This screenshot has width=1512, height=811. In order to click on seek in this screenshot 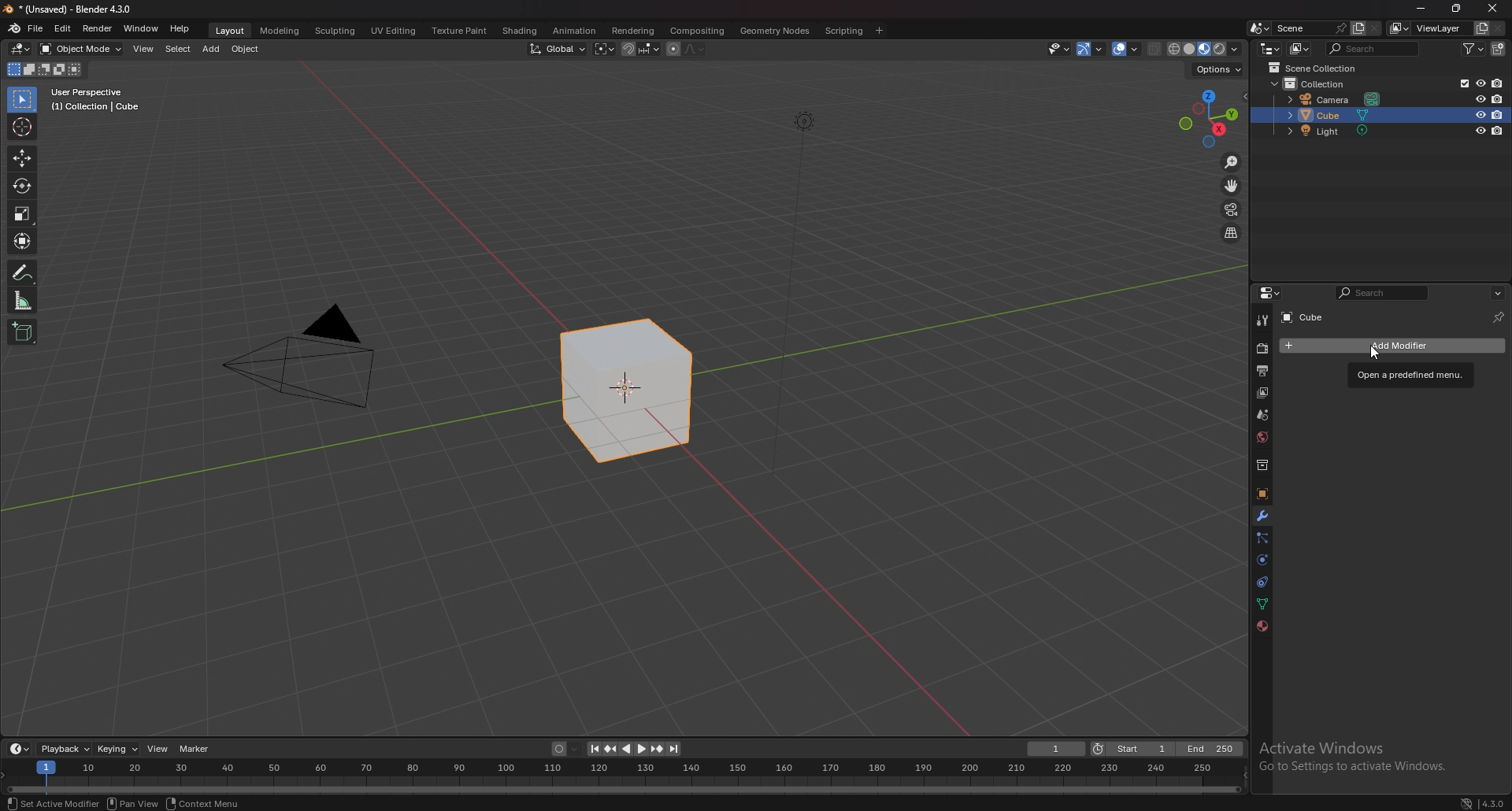, I will do `click(625, 778)`.